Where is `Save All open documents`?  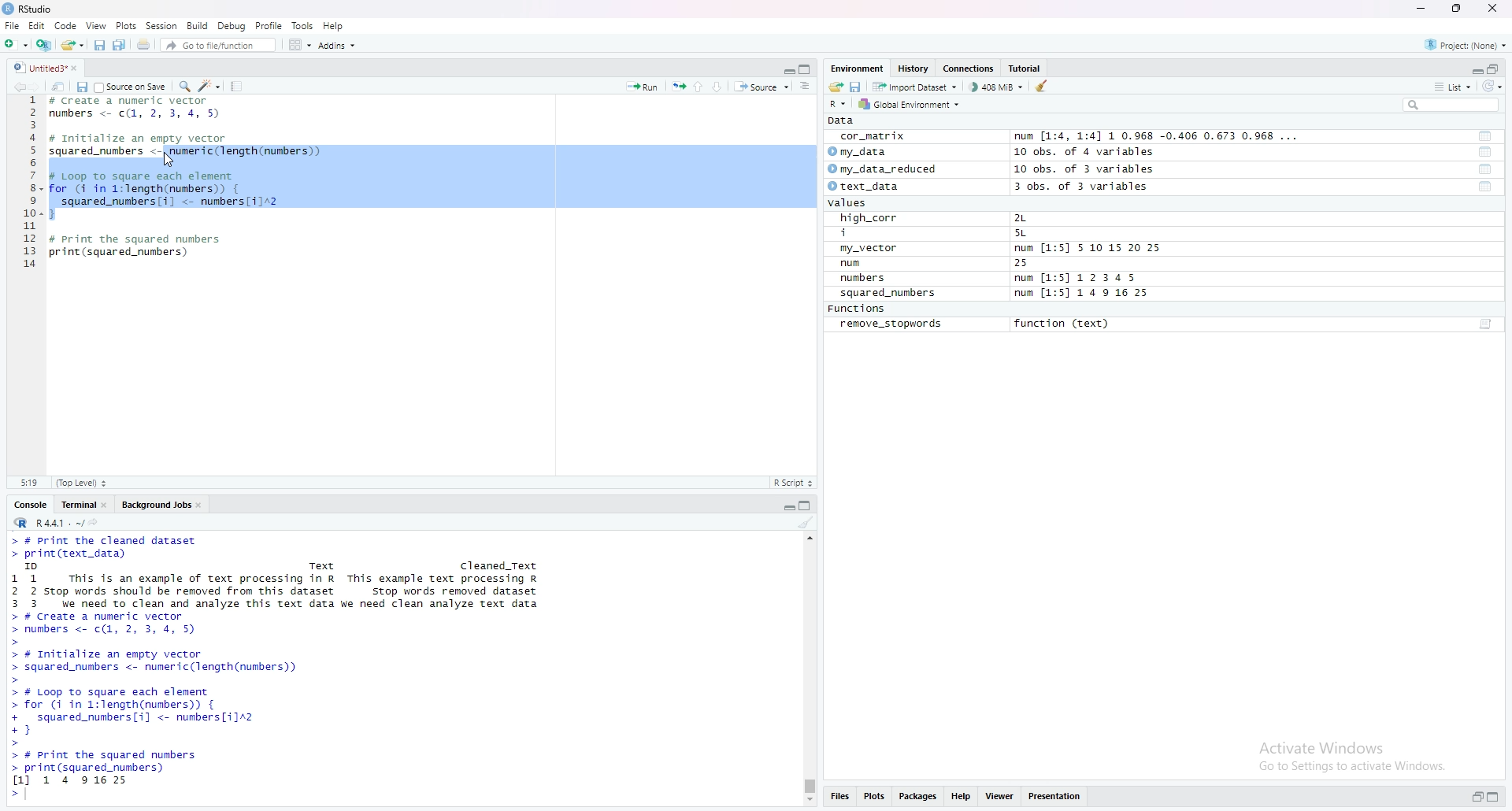
Save All open documents is located at coordinates (120, 43).